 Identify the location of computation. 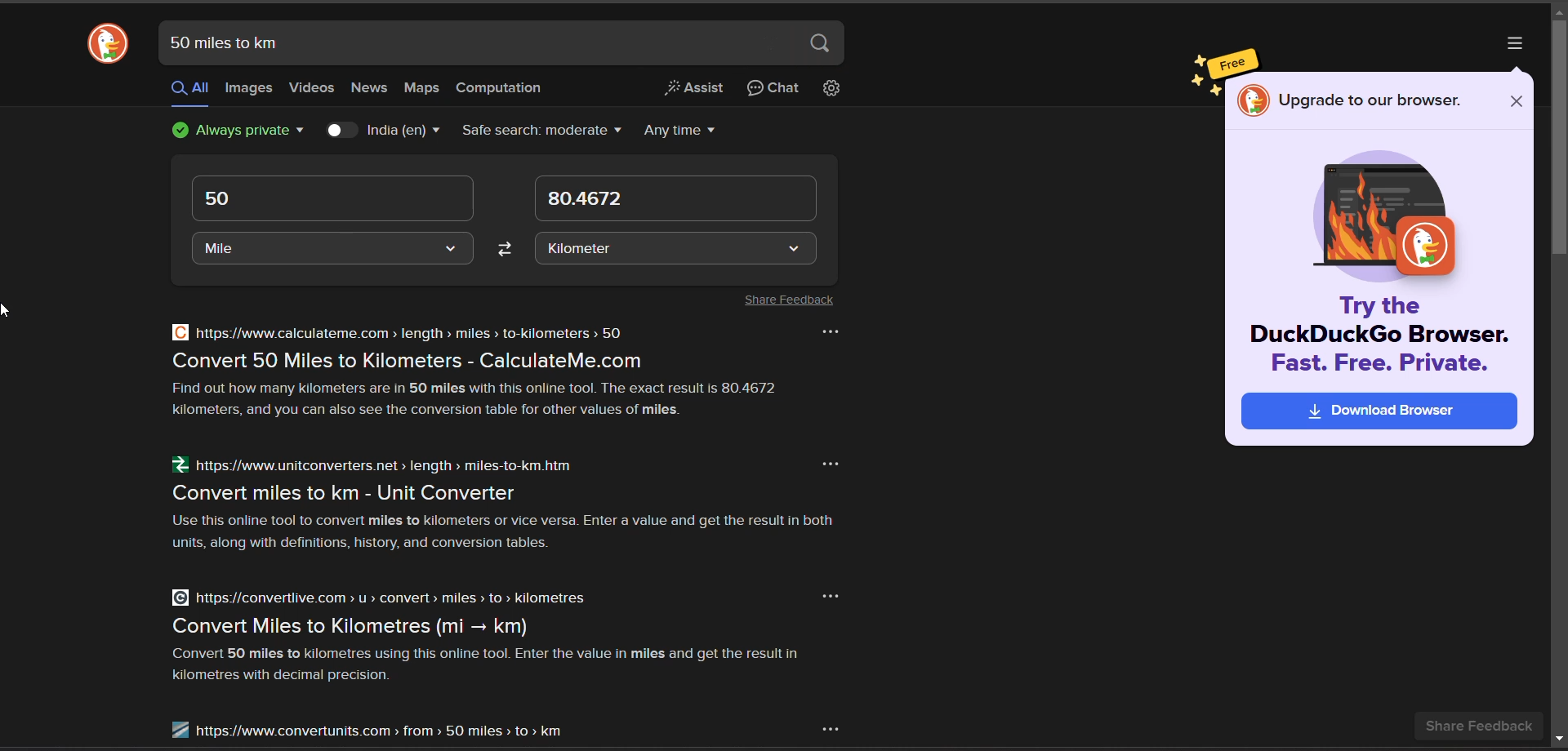
(504, 87).